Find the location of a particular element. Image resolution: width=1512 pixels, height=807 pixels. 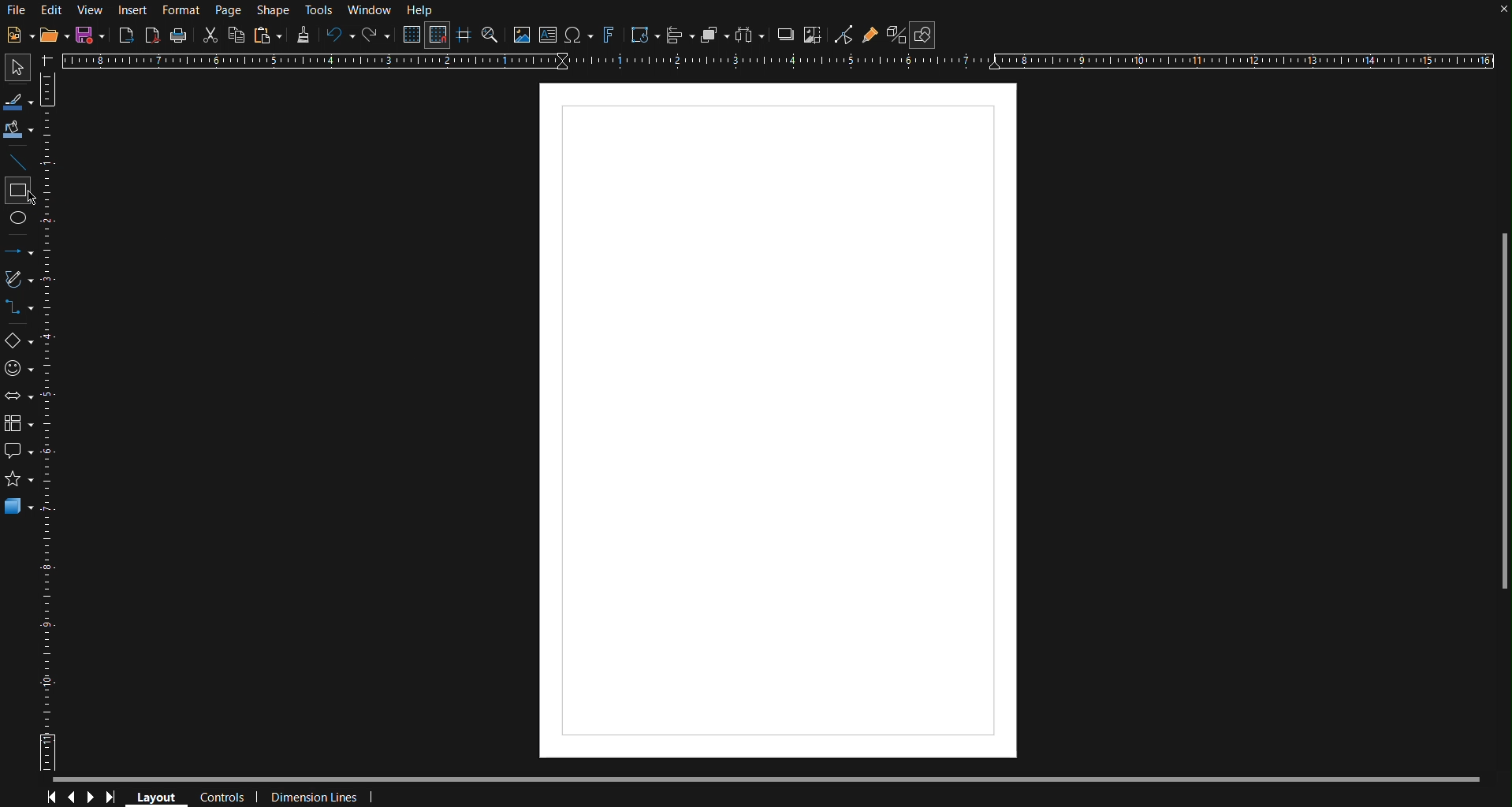

Next is located at coordinates (91, 798).